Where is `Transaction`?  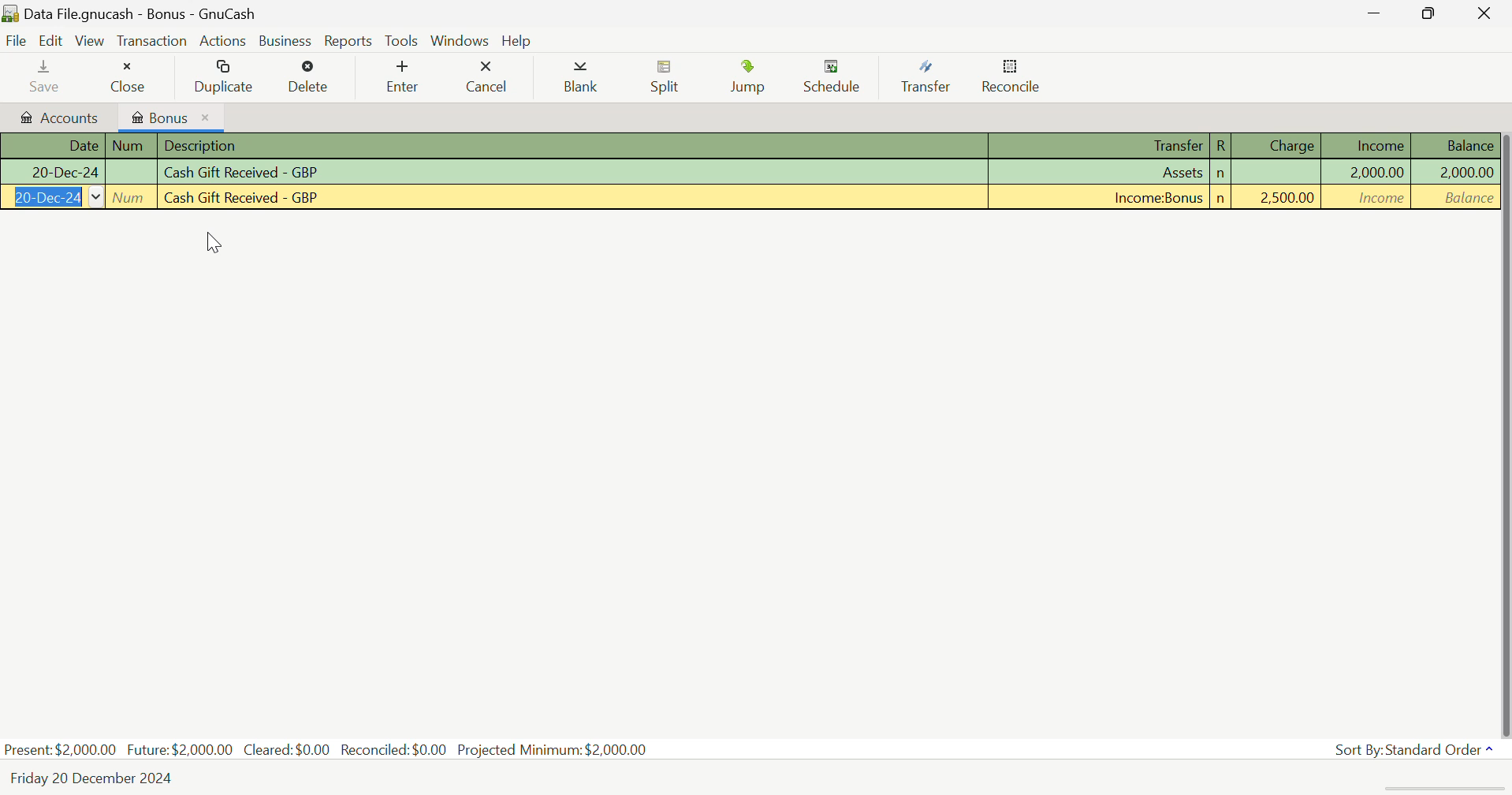
Transaction is located at coordinates (151, 39).